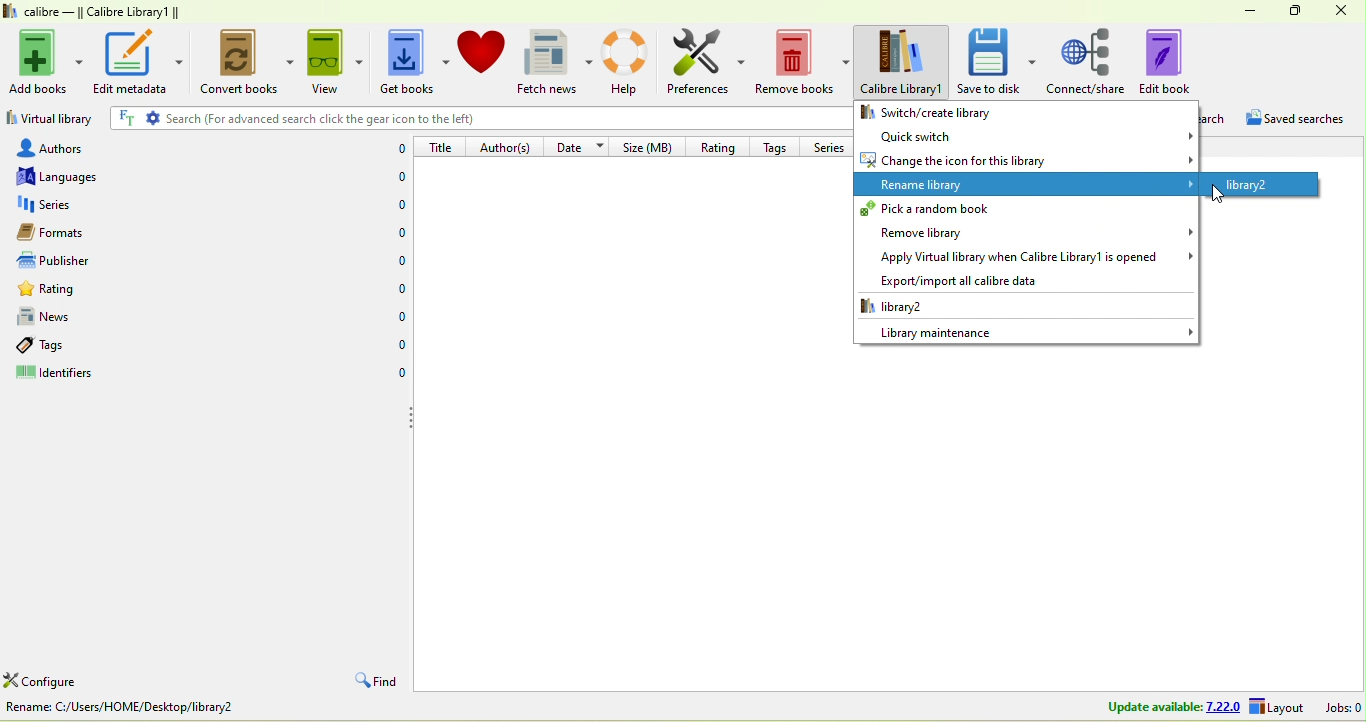  I want to click on close, so click(1342, 12).